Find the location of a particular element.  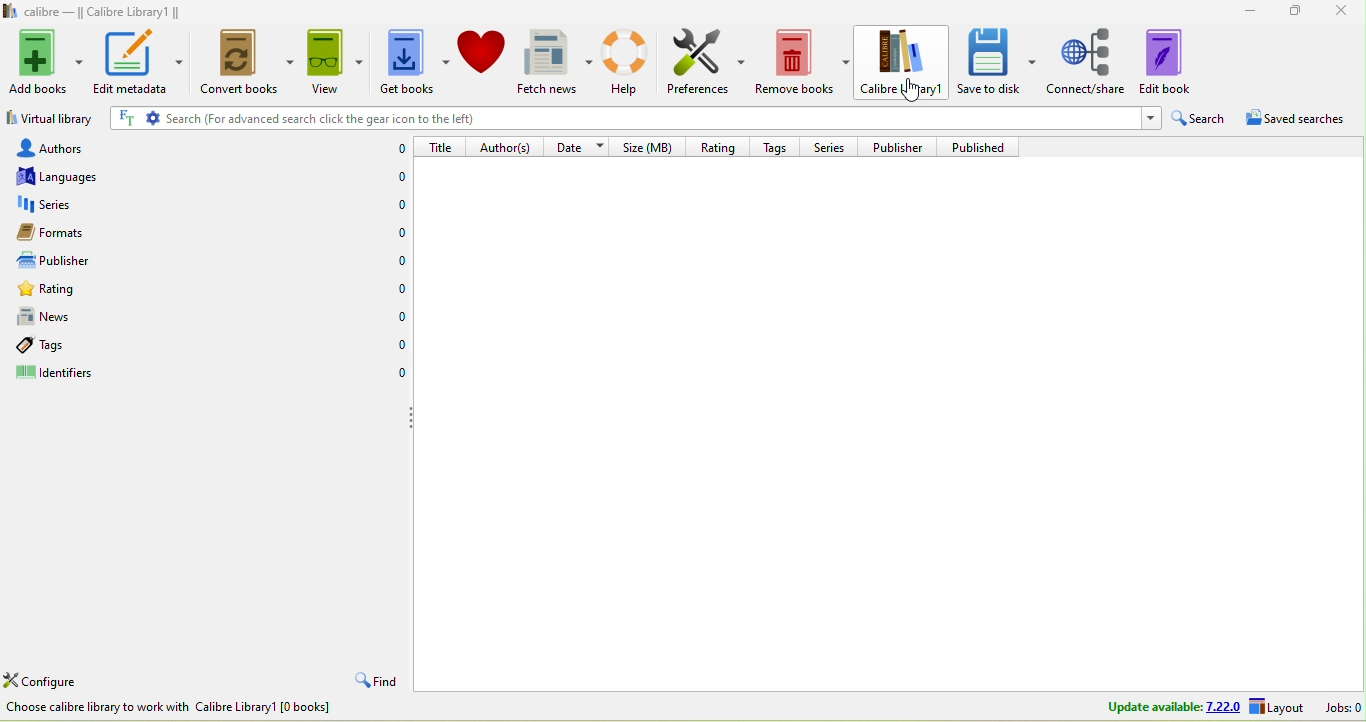

connect/share is located at coordinates (1087, 60).